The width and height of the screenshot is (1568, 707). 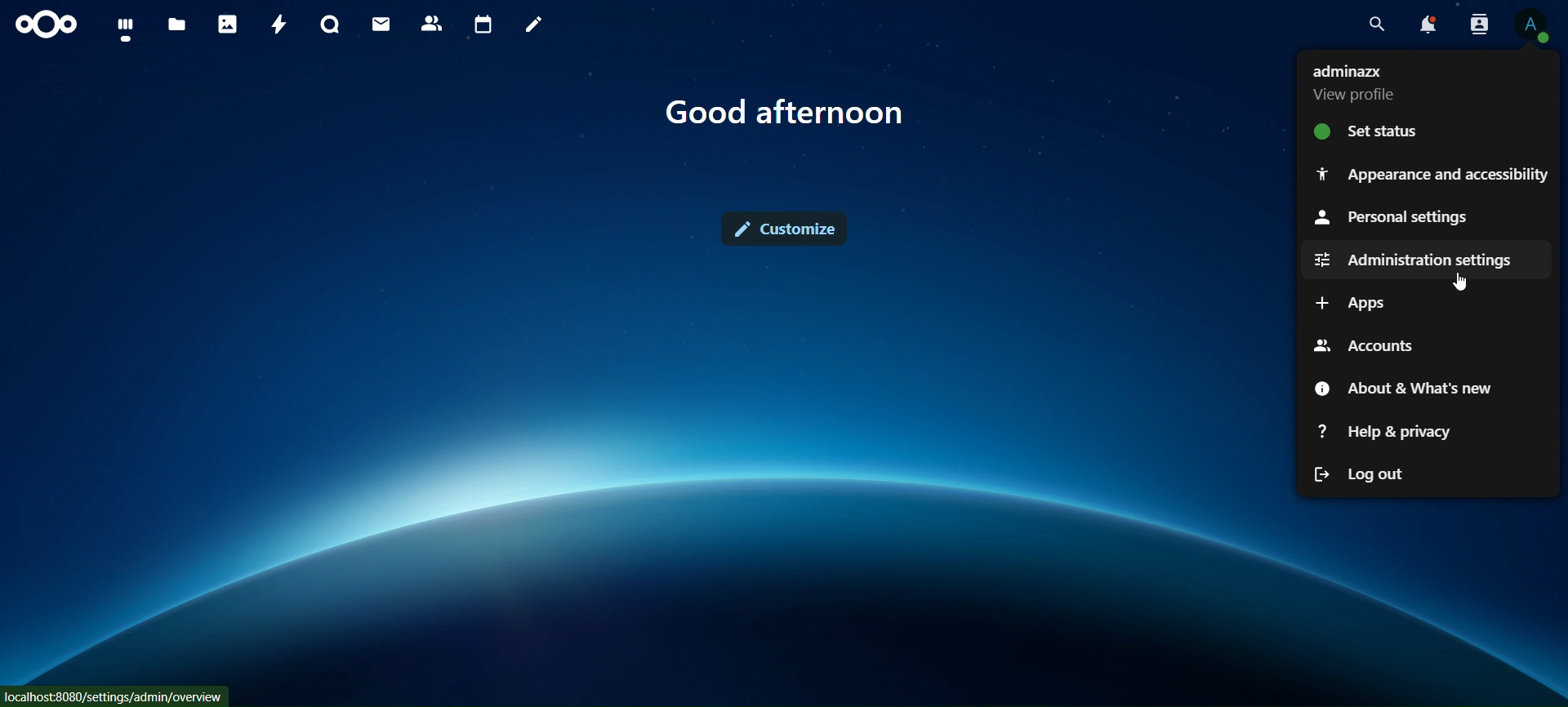 What do you see at coordinates (378, 24) in the screenshot?
I see `mail` at bounding box center [378, 24].